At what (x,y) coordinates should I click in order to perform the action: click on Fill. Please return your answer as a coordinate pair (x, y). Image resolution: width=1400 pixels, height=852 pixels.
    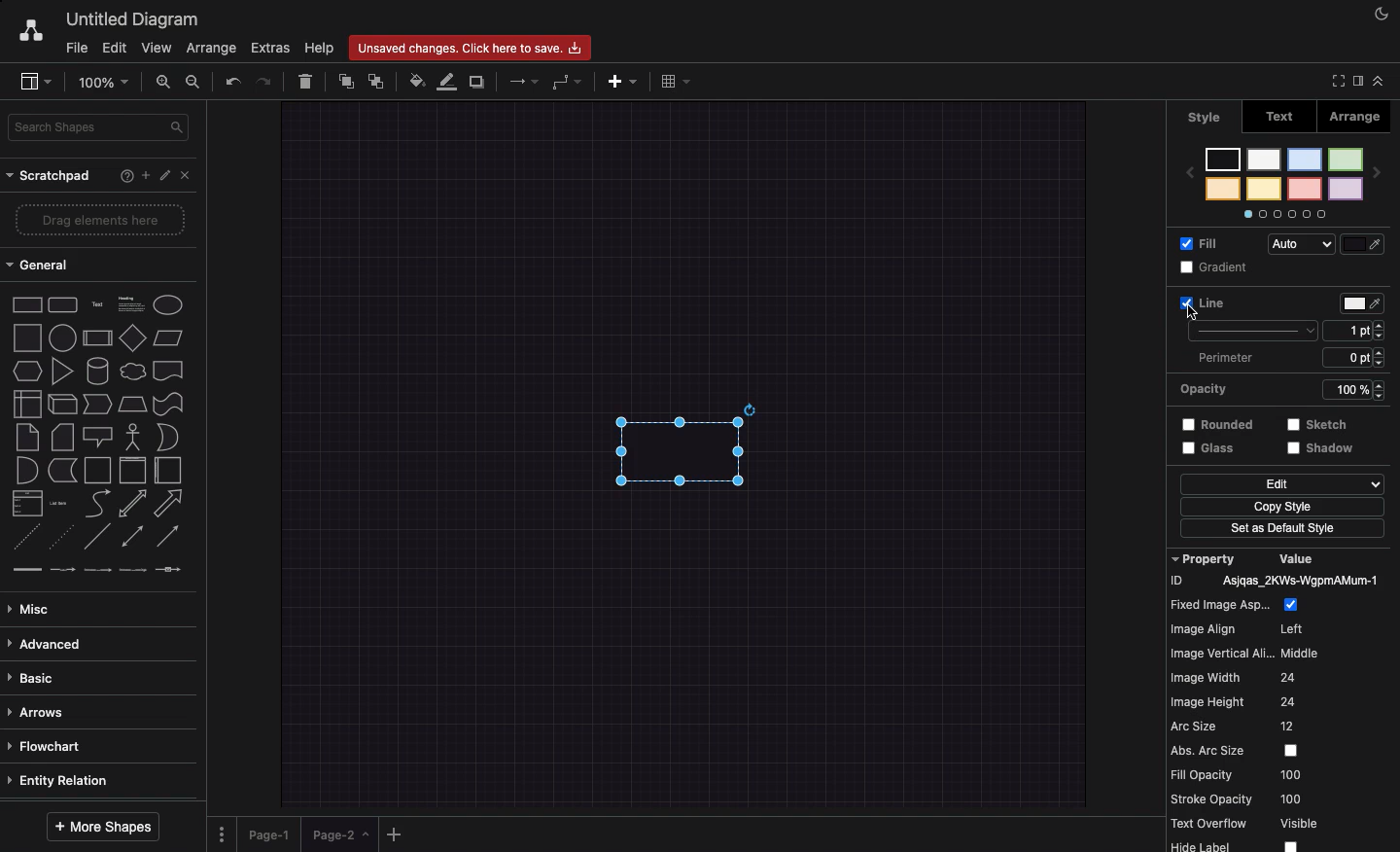
    Looking at the image, I should click on (1204, 242).